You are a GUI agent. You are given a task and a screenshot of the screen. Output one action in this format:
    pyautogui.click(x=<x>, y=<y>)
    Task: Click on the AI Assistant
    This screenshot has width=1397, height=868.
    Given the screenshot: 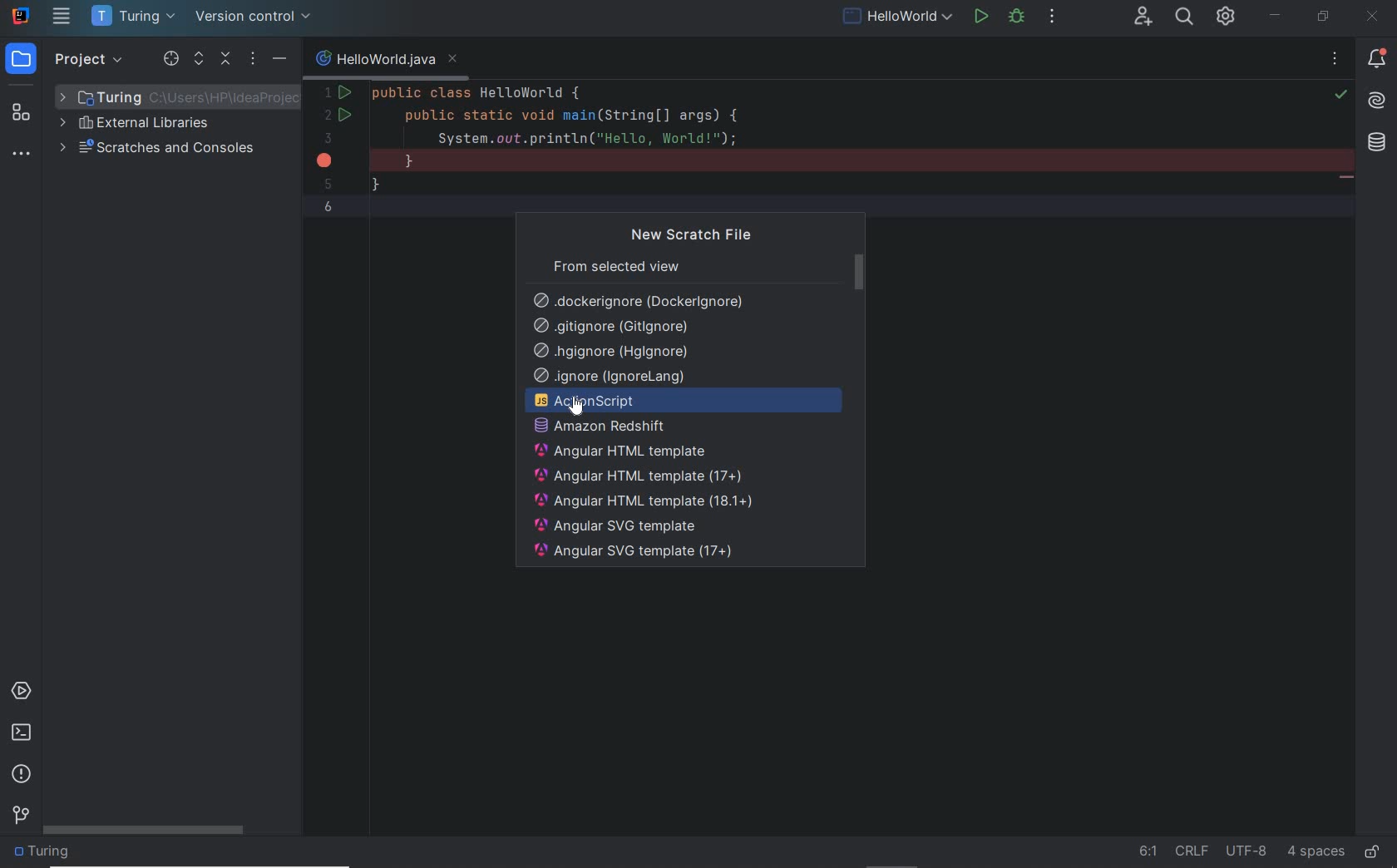 What is the action you would take?
    pyautogui.click(x=1377, y=101)
    